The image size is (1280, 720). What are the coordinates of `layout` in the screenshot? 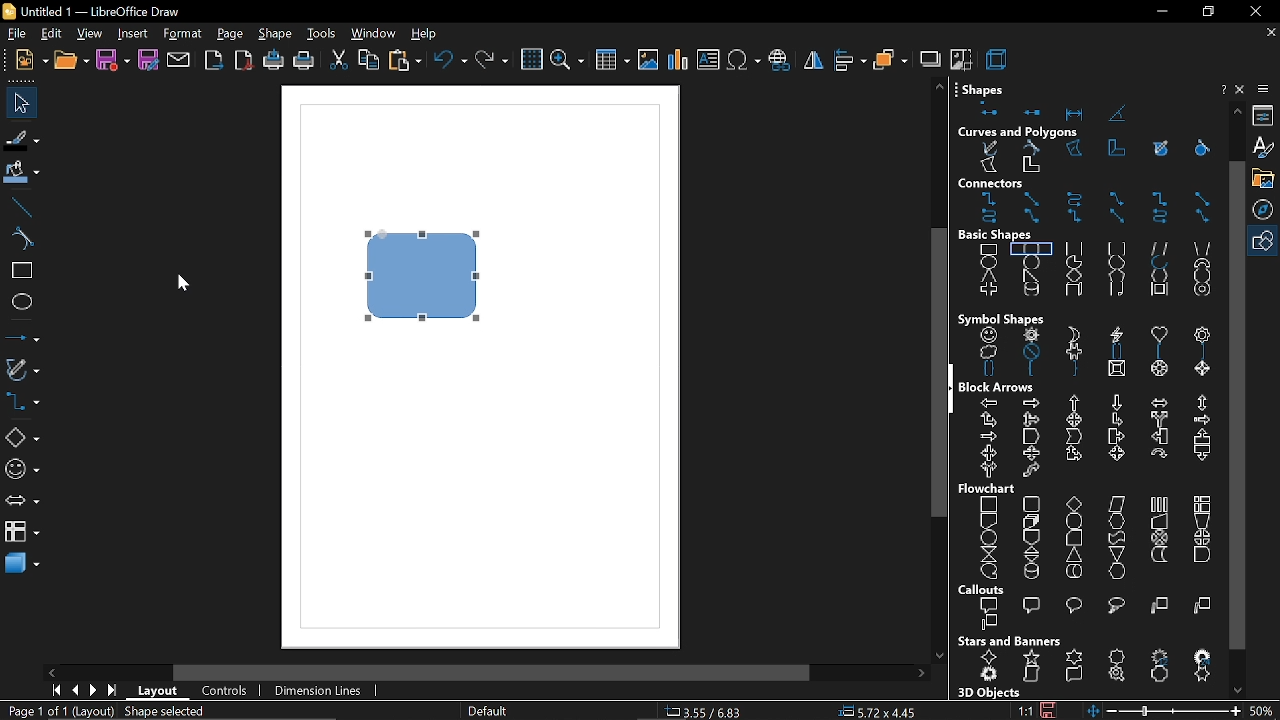 It's located at (160, 694).